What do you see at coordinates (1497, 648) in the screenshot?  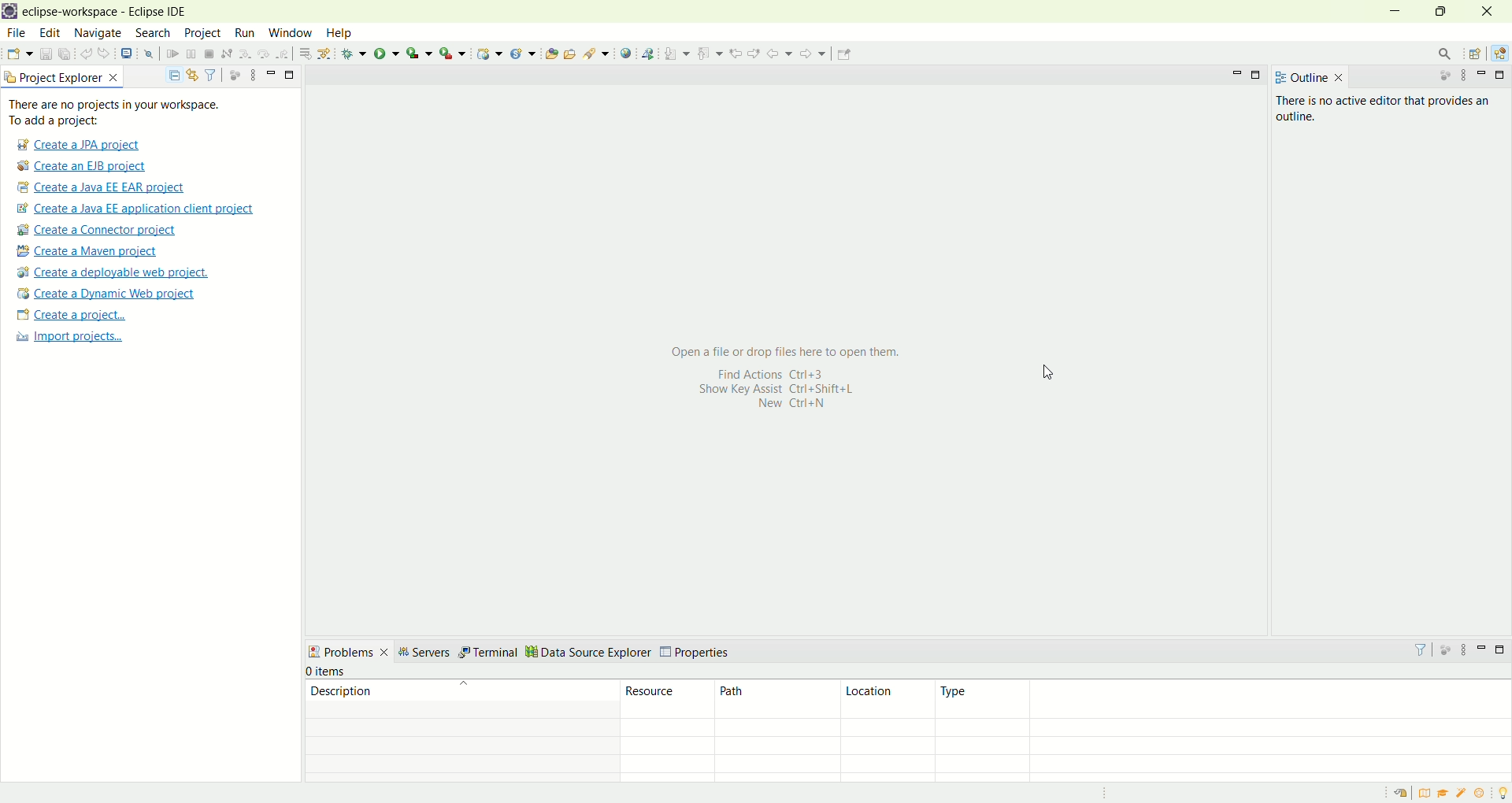 I see `maximize` at bounding box center [1497, 648].